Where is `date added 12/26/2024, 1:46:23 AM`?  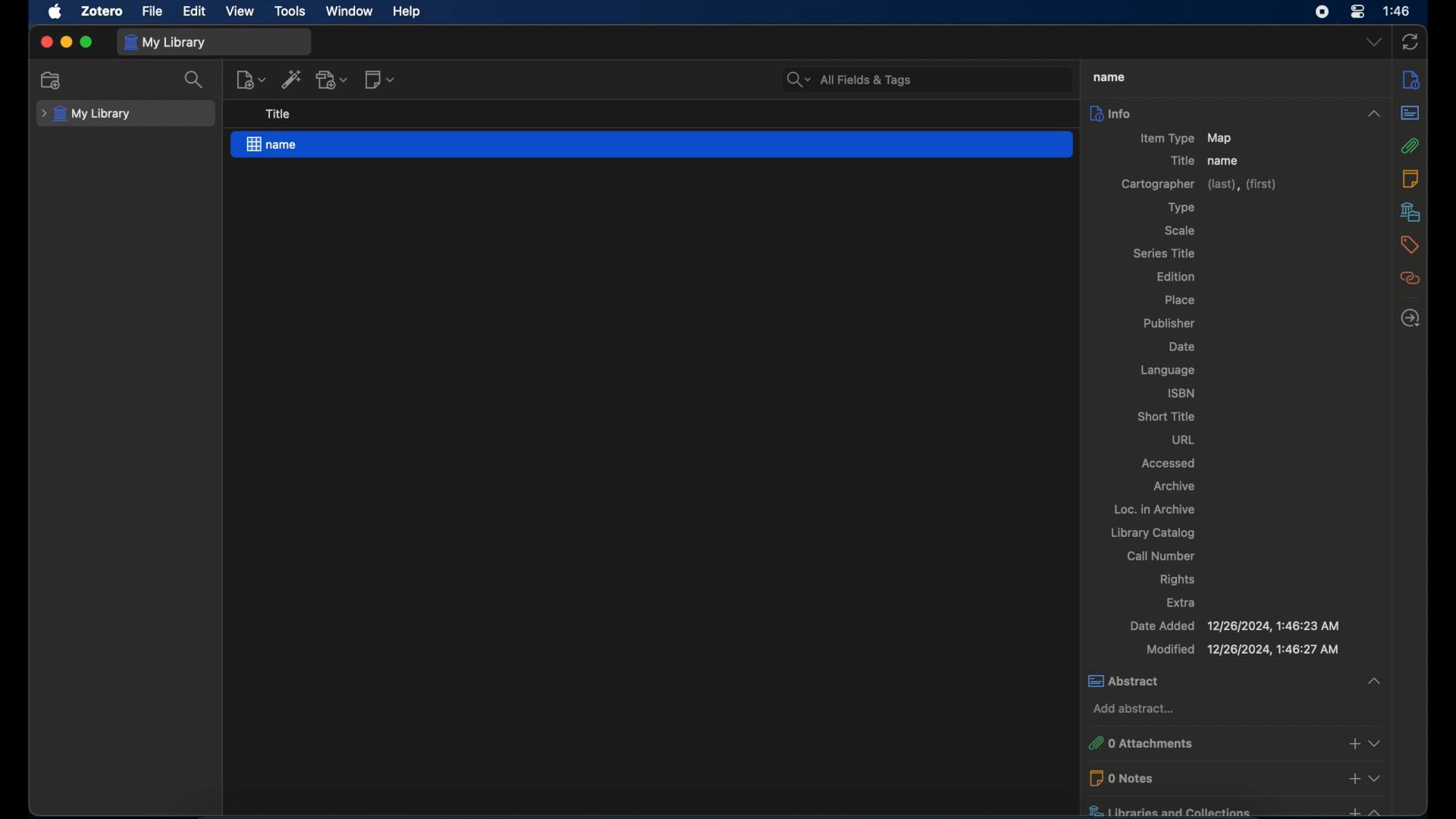 date added 12/26/2024, 1:46:23 AM is located at coordinates (1237, 626).